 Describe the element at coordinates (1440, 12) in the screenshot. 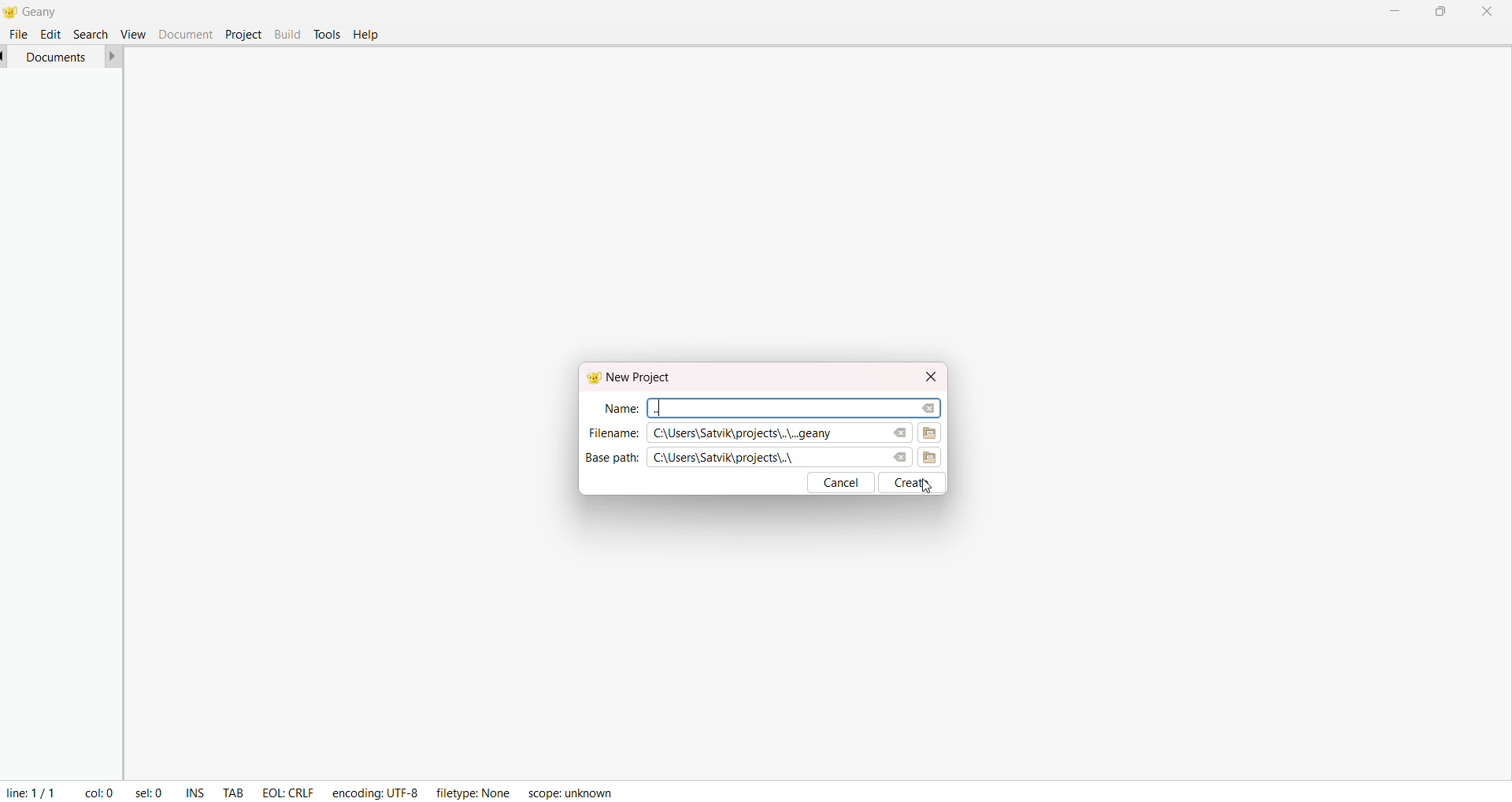

I see `maximize` at that location.